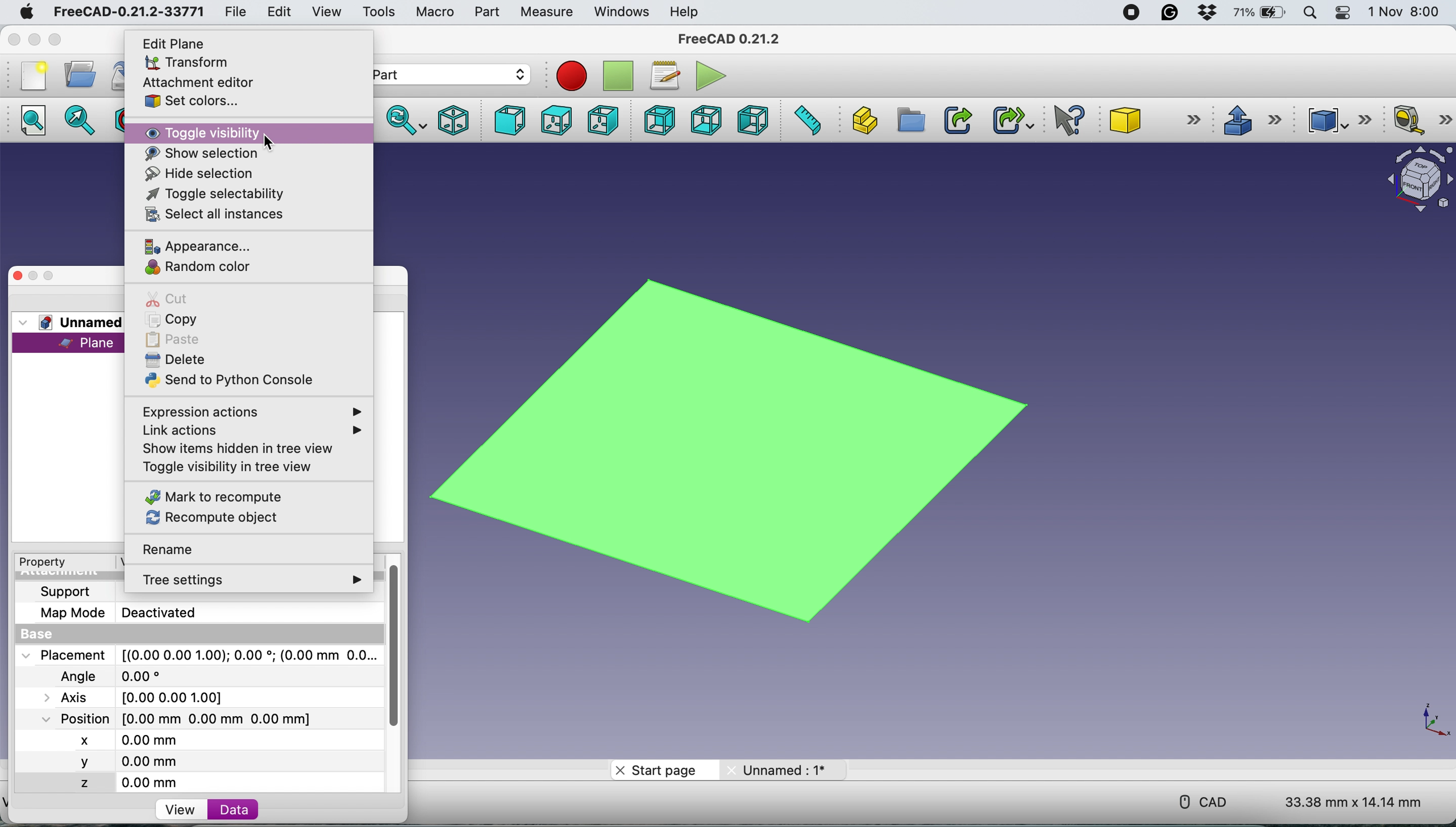  What do you see at coordinates (703, 121) in the screenshot?
I see `bottom` at bounding box center [703, 121].